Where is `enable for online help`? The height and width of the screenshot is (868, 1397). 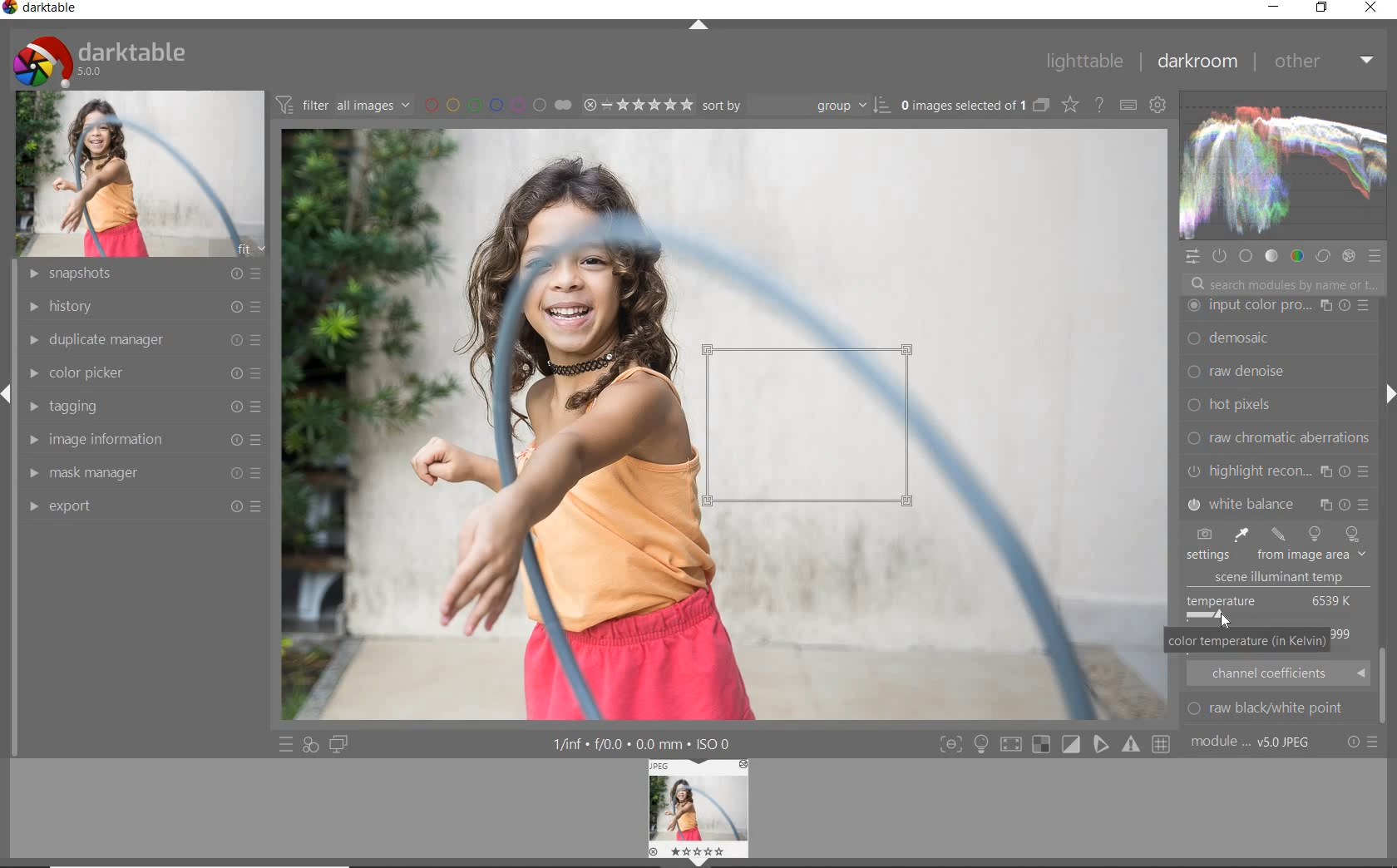
enable for online help is located at coordinates (1098, 105).